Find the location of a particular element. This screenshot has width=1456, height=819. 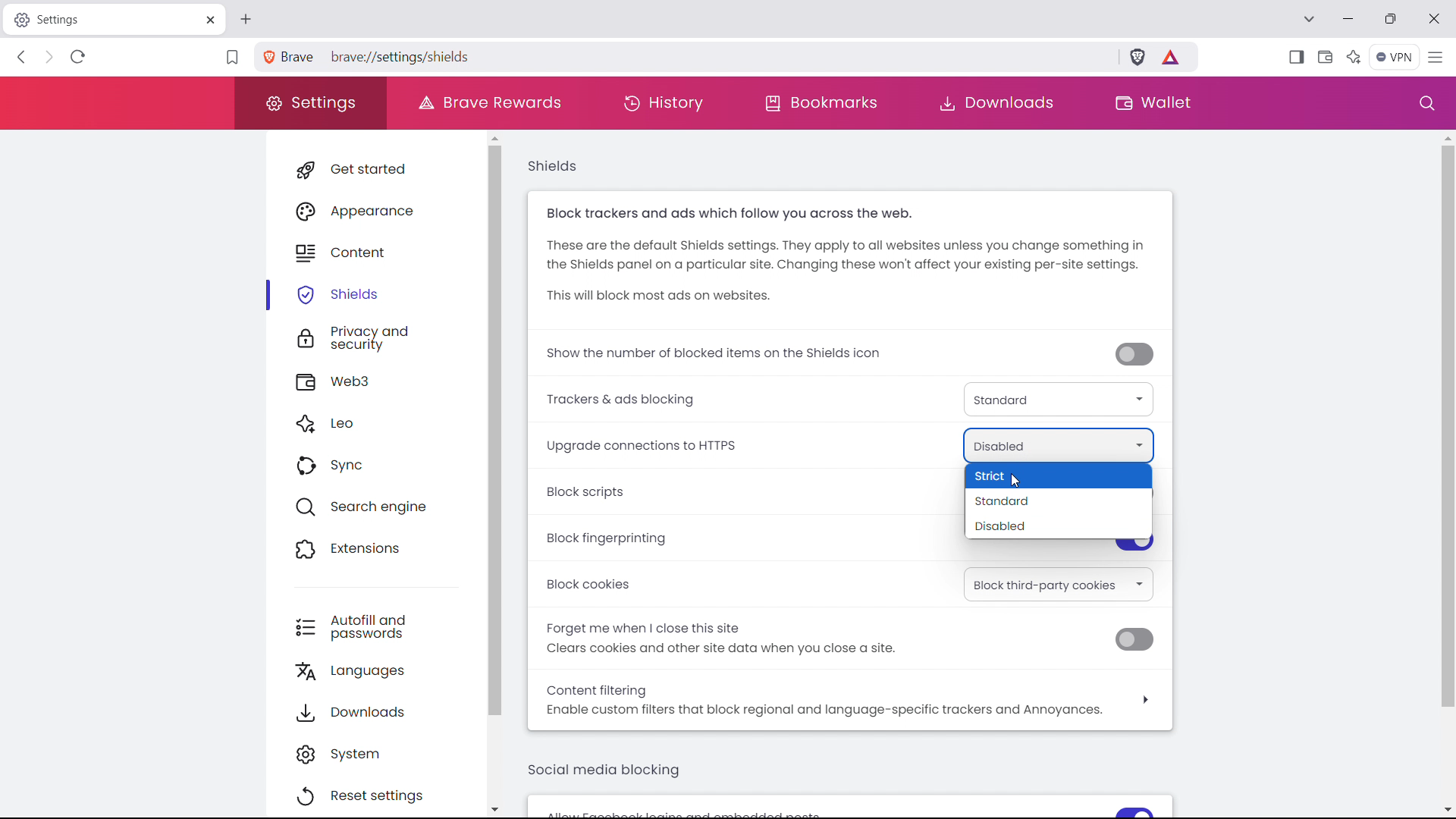

open sidebar is located at coordinates (1296, 57).